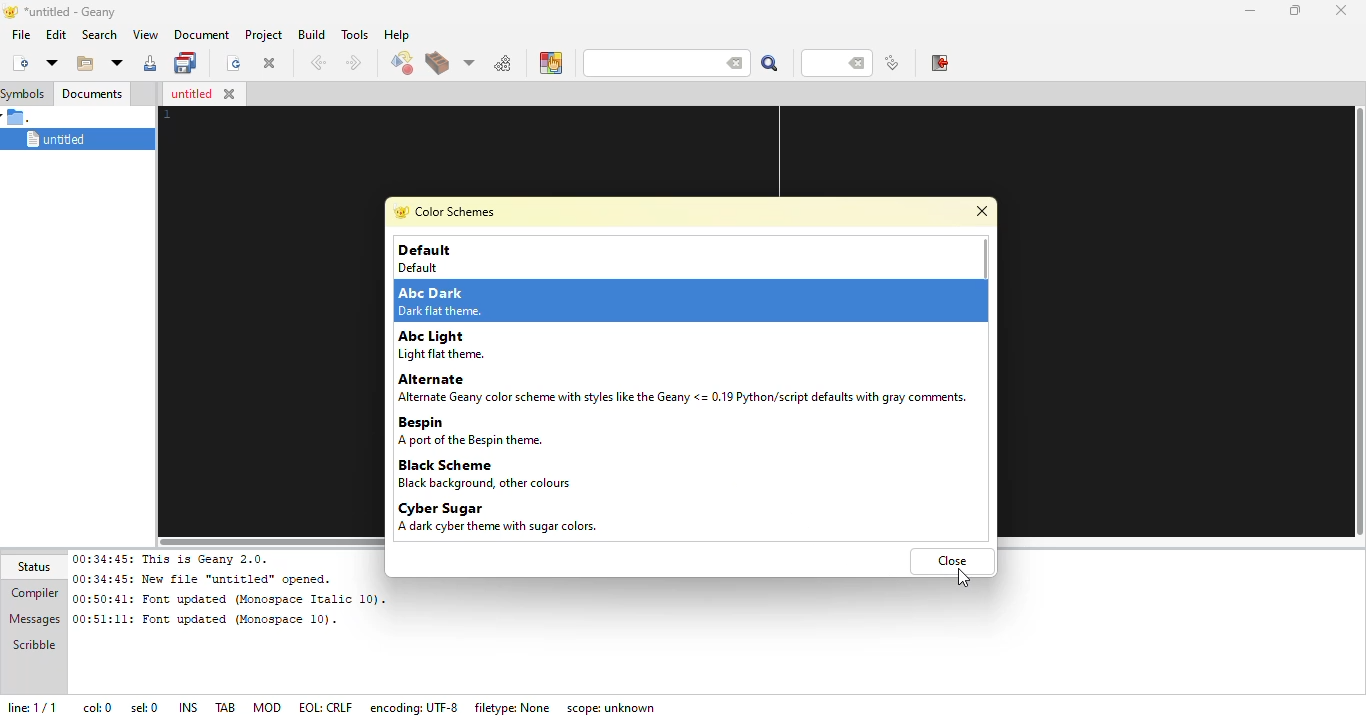 The image size is (1366, 720). Describe the element at coordinates (938, 63) in the screenshot. I see `exit` at that location.